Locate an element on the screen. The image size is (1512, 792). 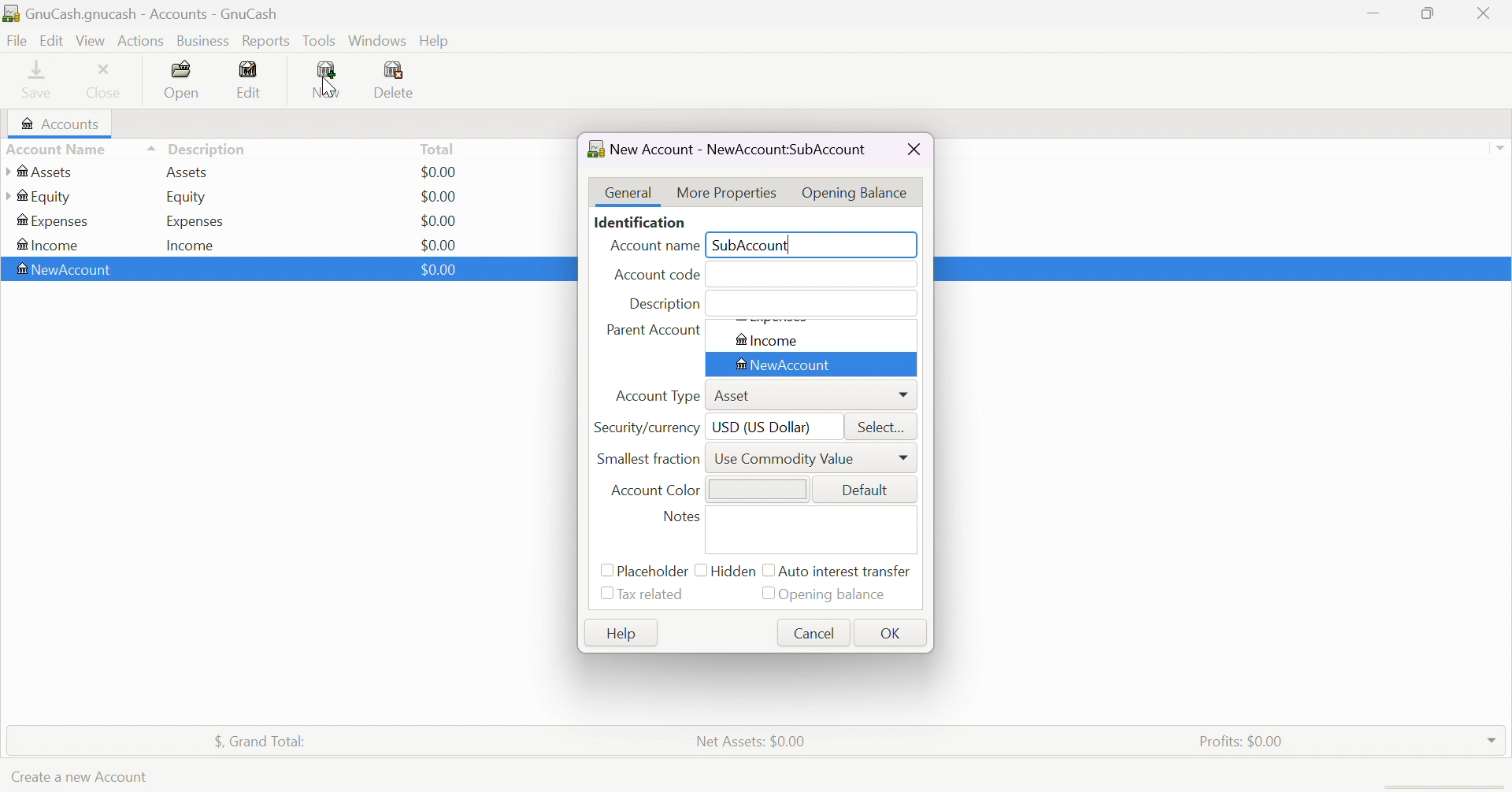
Account name is located at coordinates (79, 149).